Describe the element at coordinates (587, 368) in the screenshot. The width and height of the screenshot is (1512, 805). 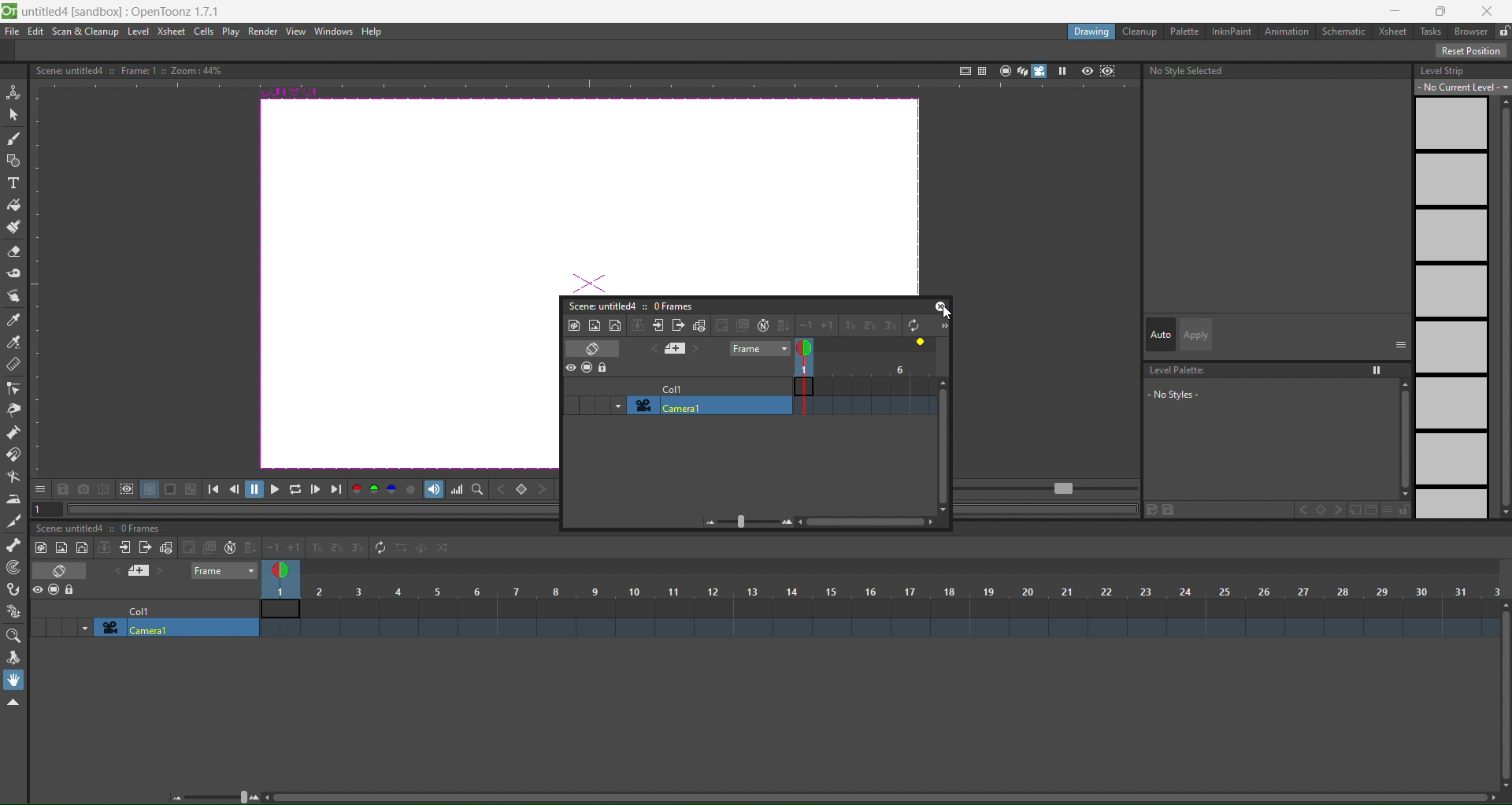
I see `icon` at that location.